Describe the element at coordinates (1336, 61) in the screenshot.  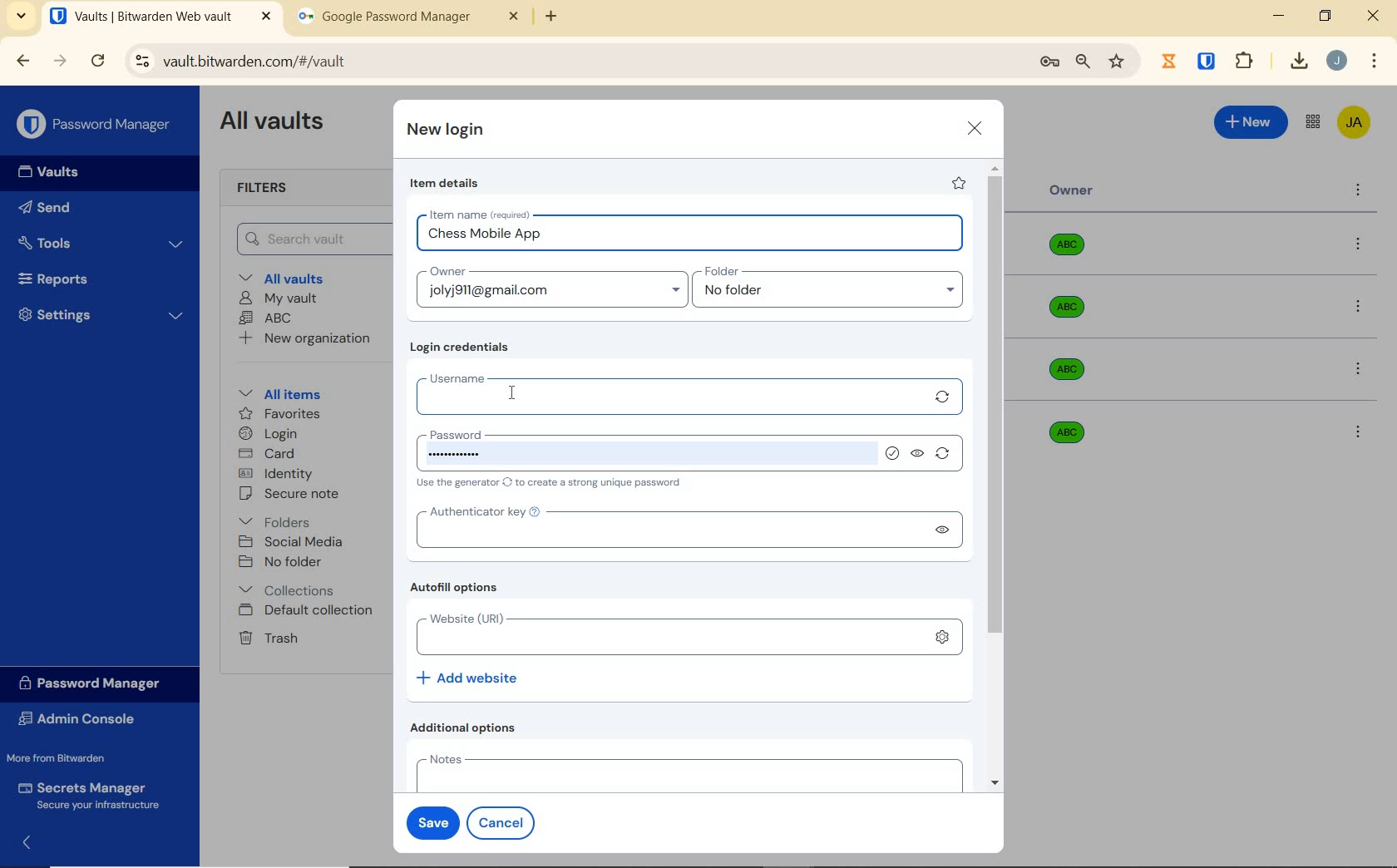
I see `Account` at that location.